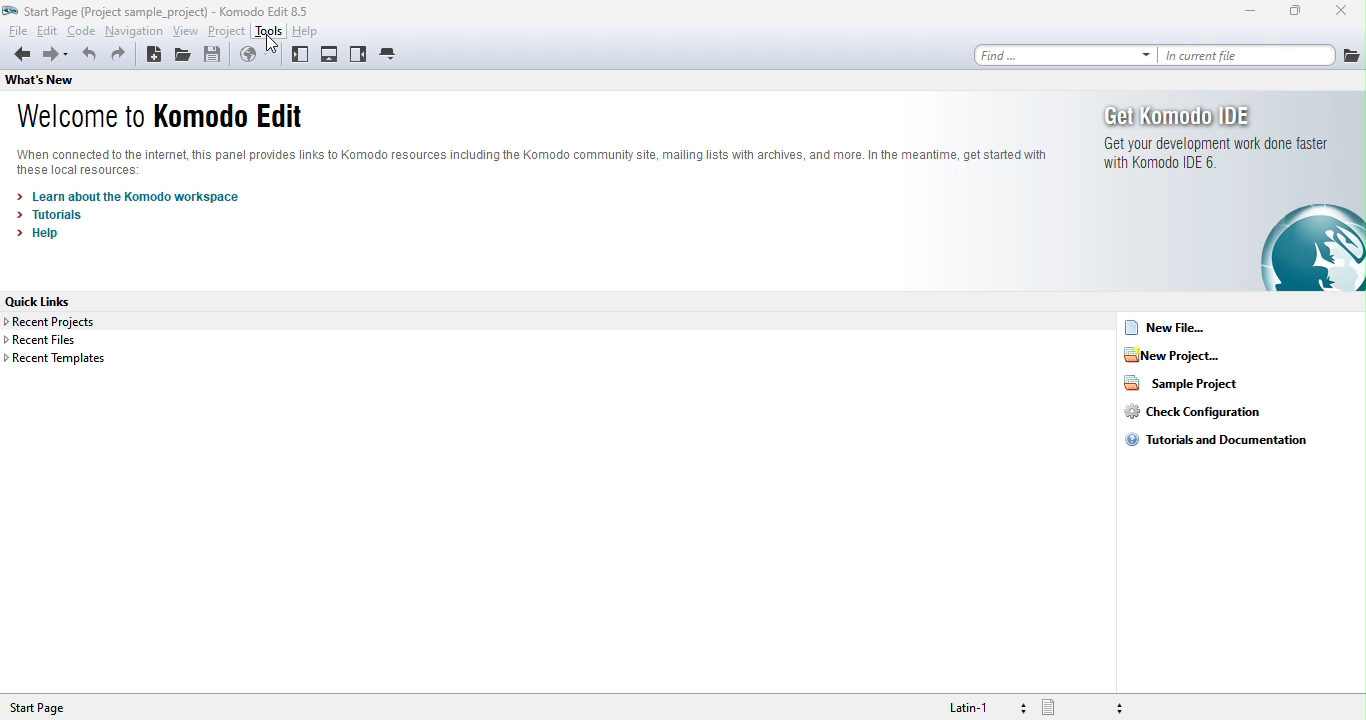 This screenshot has width=1366, height=720. I want to click on cursor , so click(270, 46).